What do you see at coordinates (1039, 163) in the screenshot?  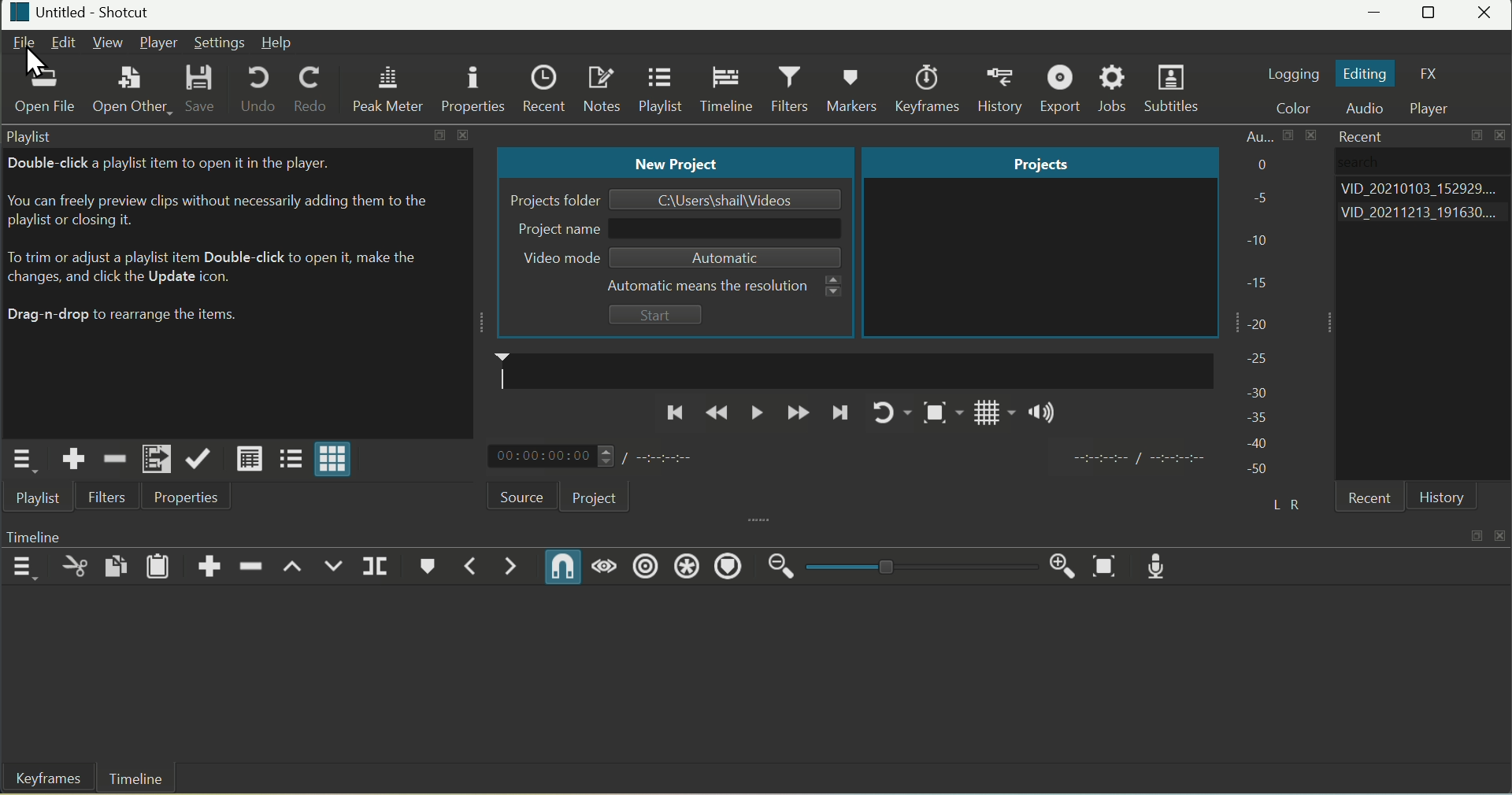 I see `Projects` at bounding box center [1039, 163].